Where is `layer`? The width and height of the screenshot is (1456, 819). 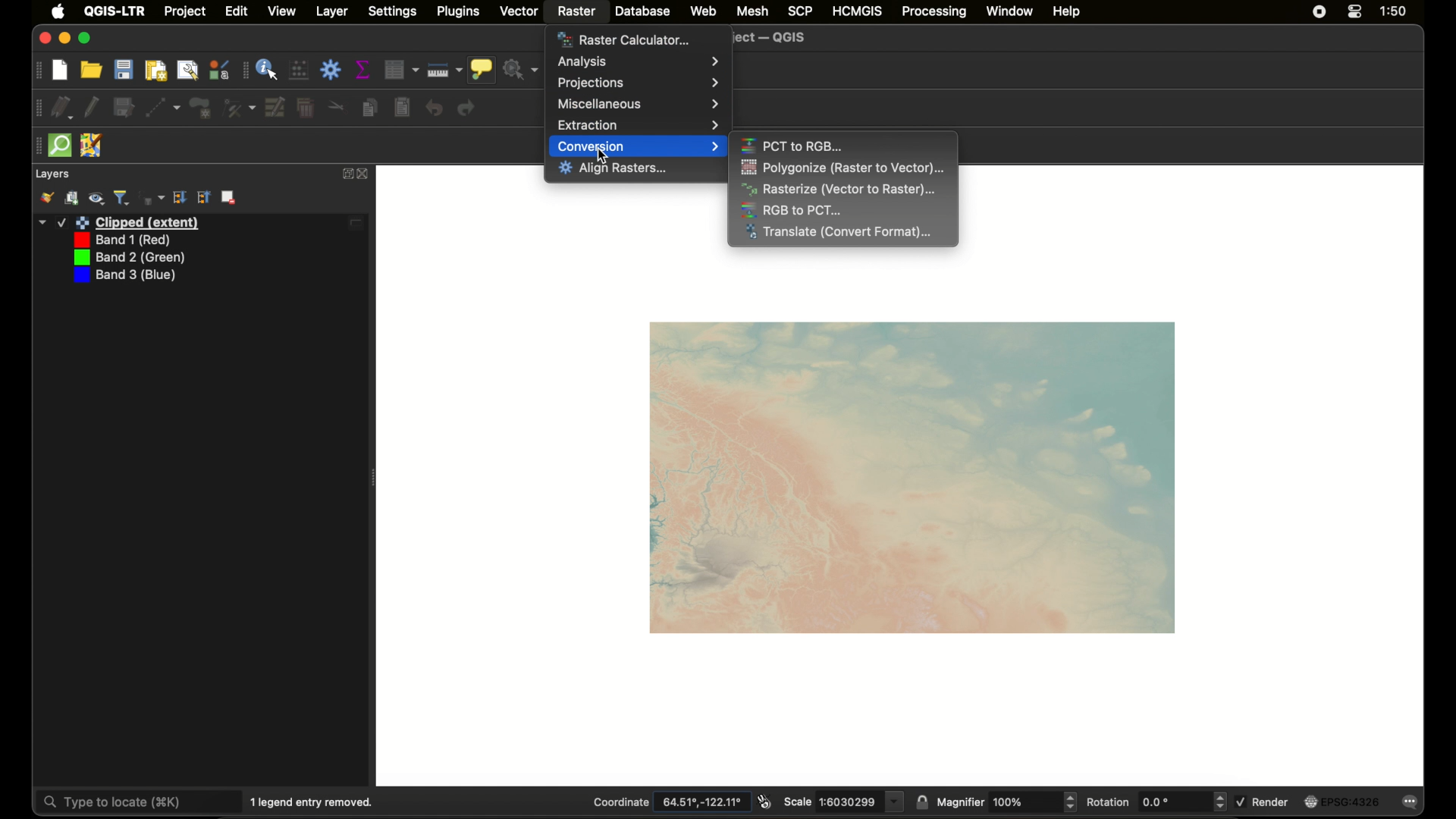
layer is located at coordinates (332, 12).